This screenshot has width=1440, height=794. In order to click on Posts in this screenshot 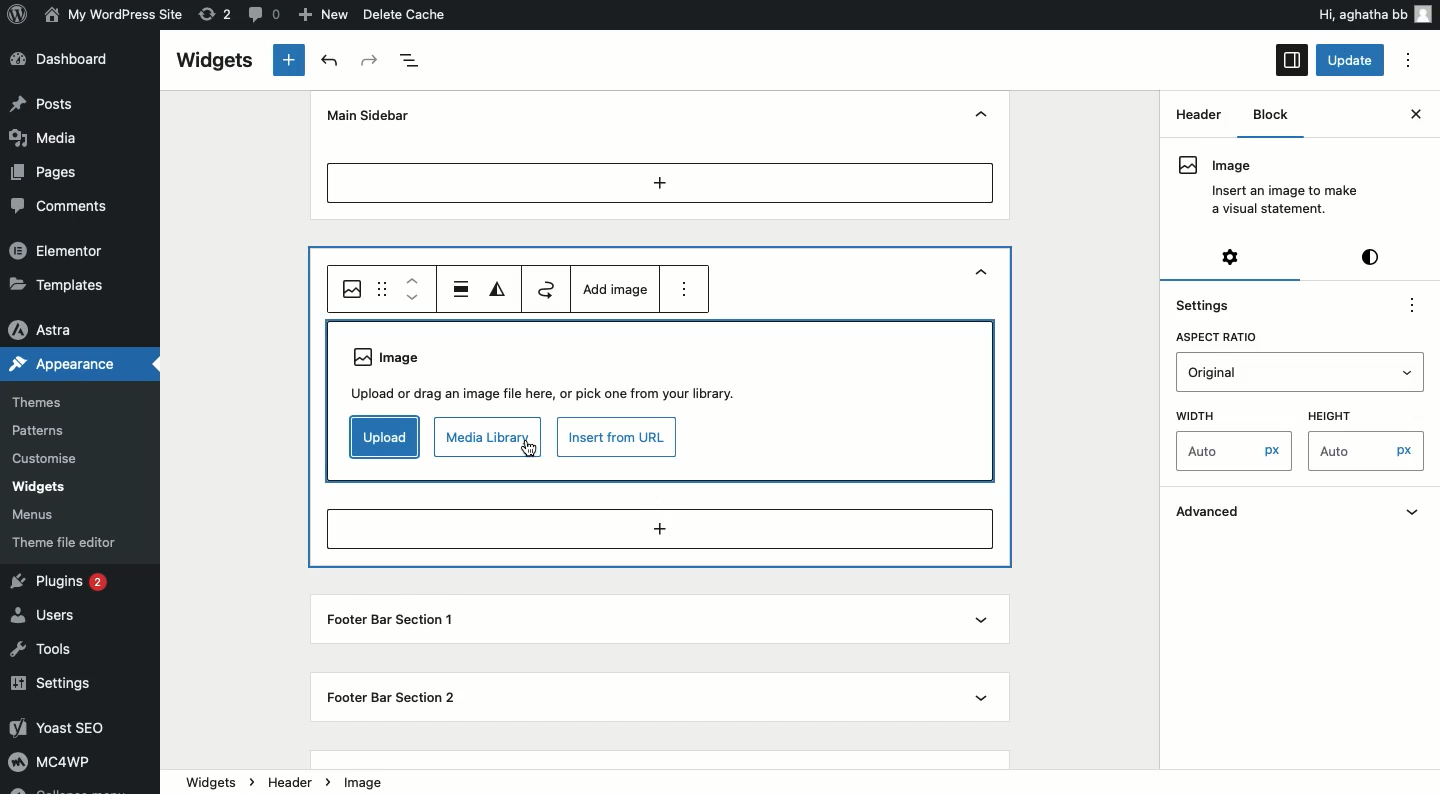, I will do `click(44, 103)`.